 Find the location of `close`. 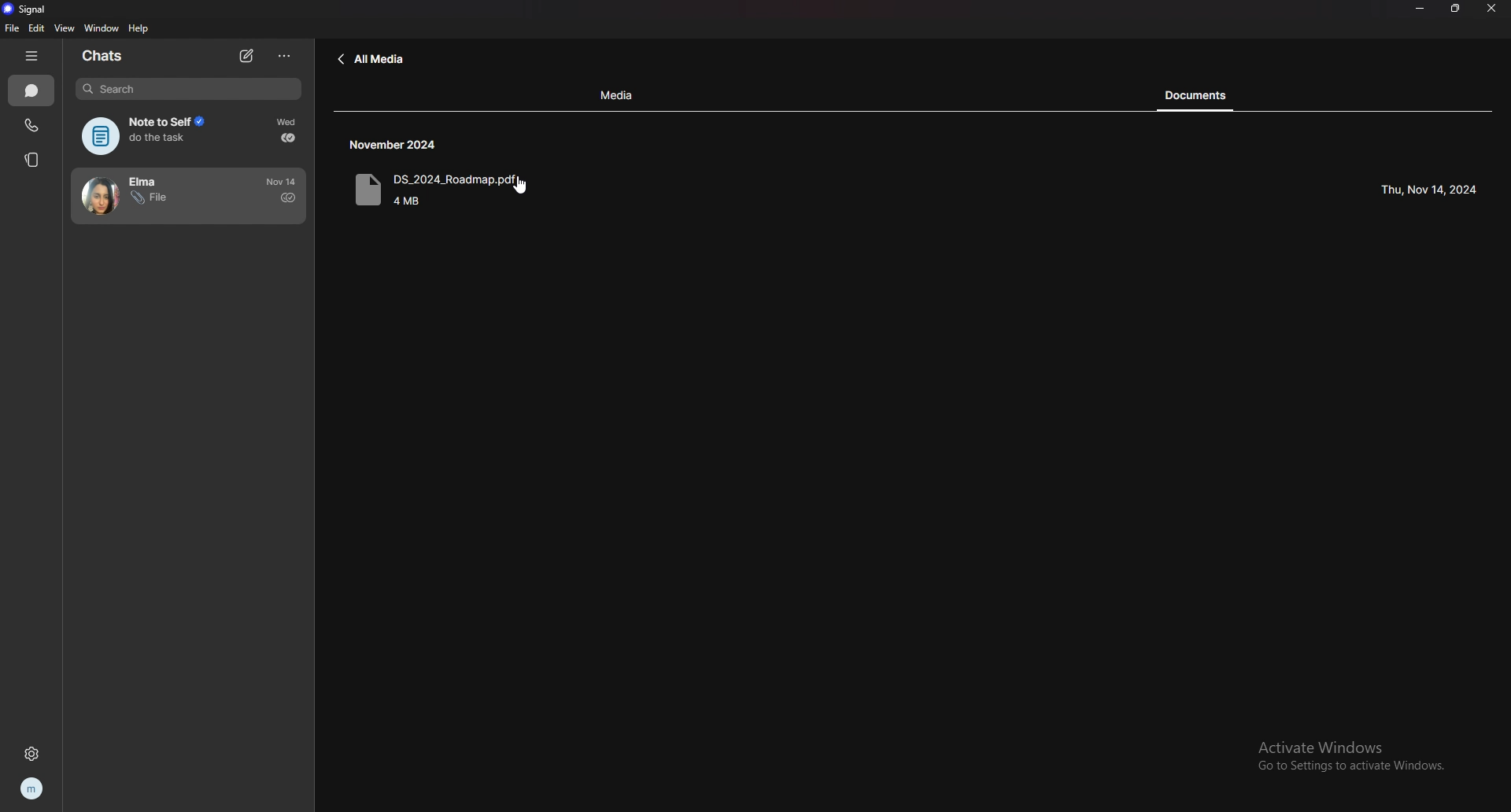

close is located at coordinates (1493, 8).